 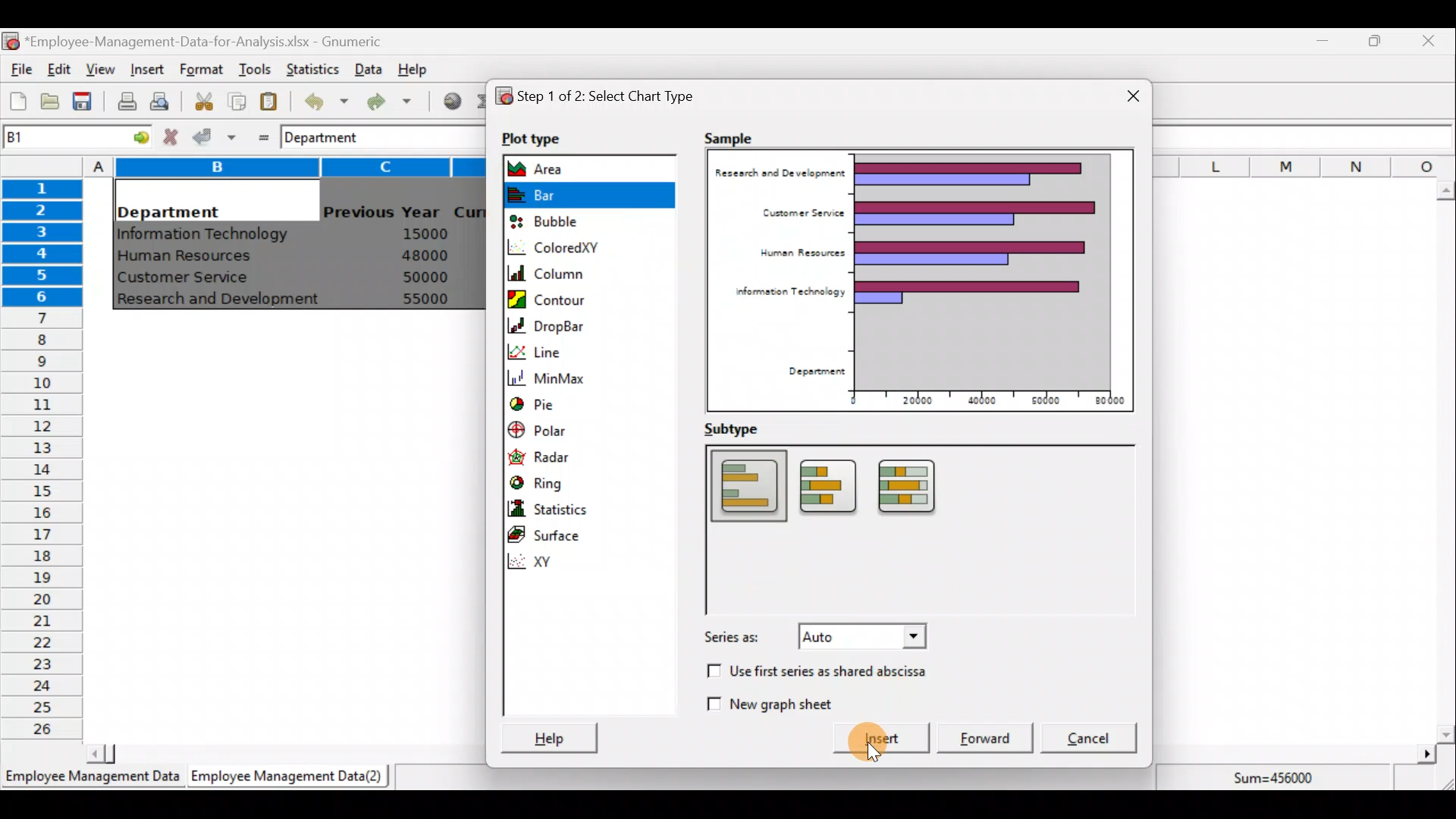 What do you see at coordinates (382, 212) in the screenshot?
I see `Previous Year` at bounding box center [382, 212].